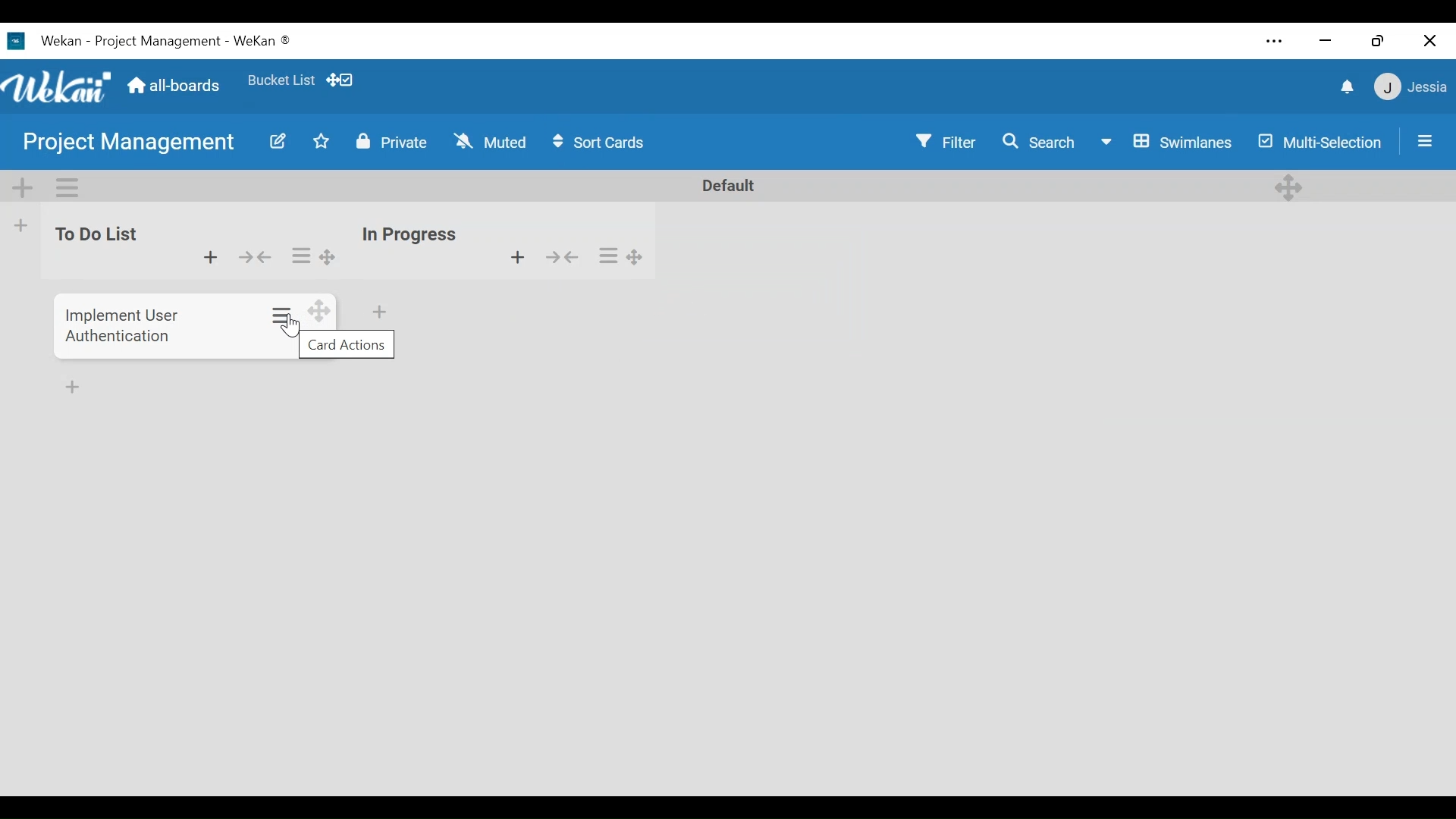 The height and width of the screenshot is (819, 1456). I want to click on Sort Card, so click(606, 143).